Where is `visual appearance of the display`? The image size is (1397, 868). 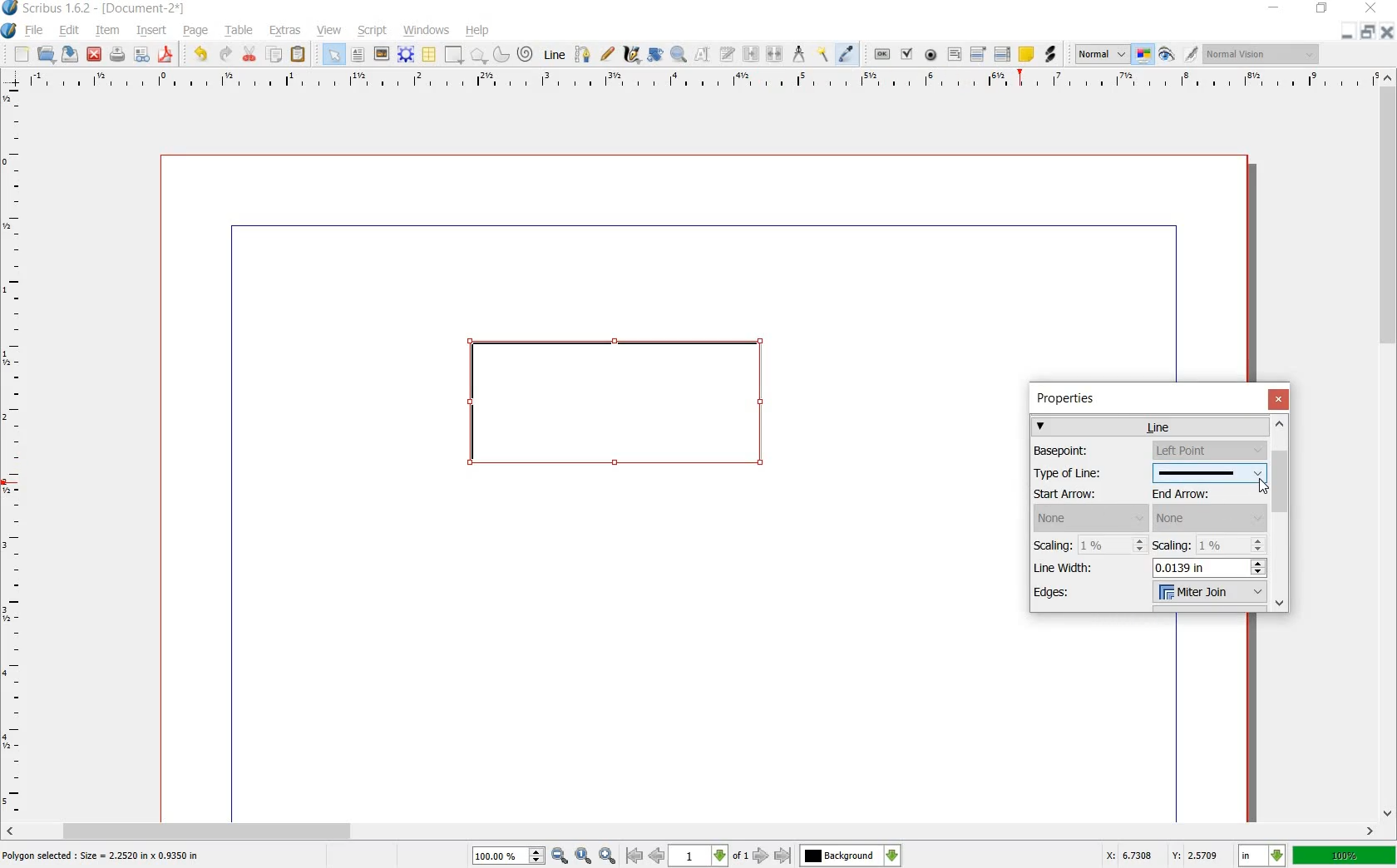 visual appearance of the display is located at coordinates (1260, 54).